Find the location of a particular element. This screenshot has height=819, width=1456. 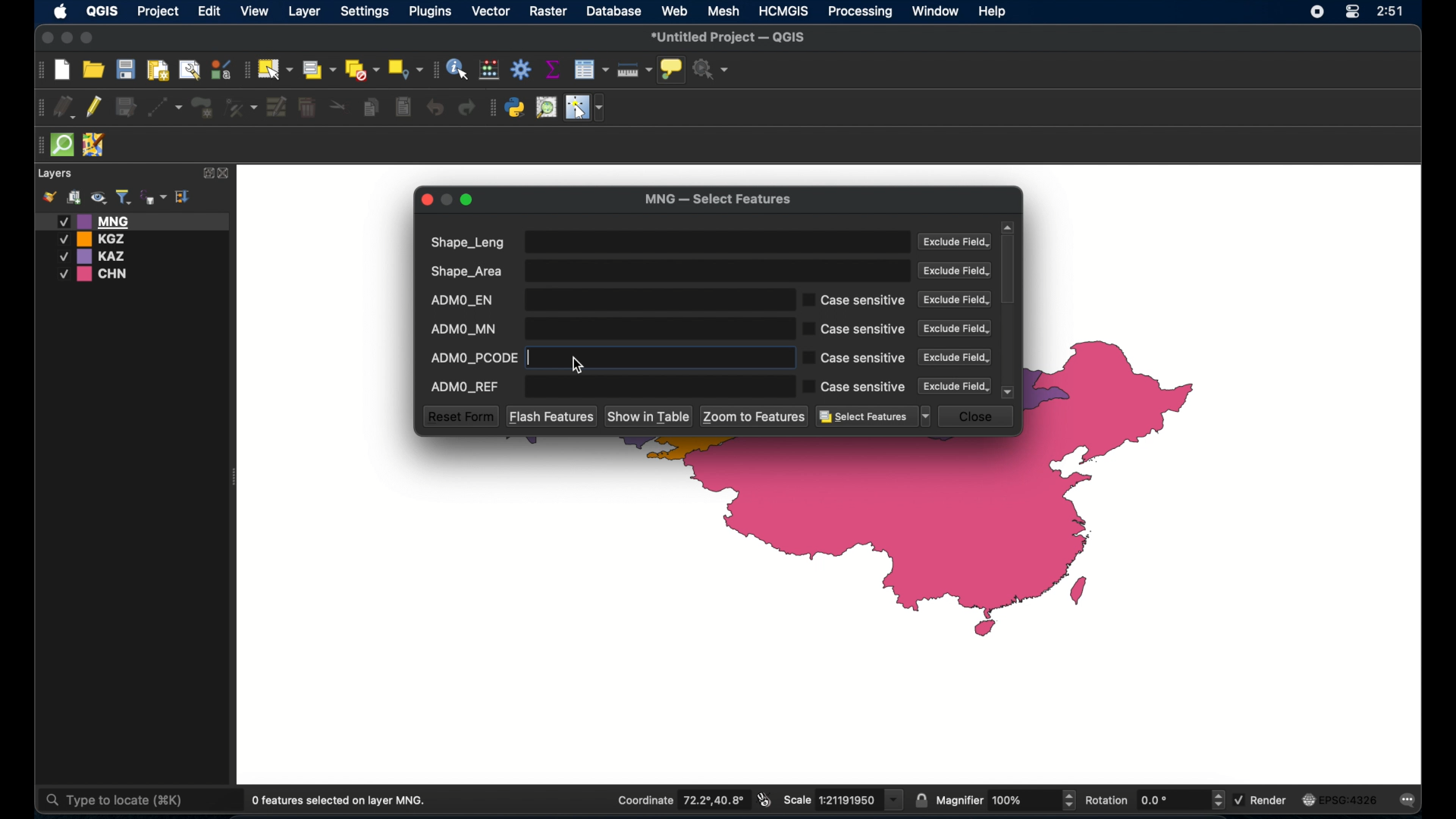

ADMO_PCOD input box is located at coordinates (698, 358).